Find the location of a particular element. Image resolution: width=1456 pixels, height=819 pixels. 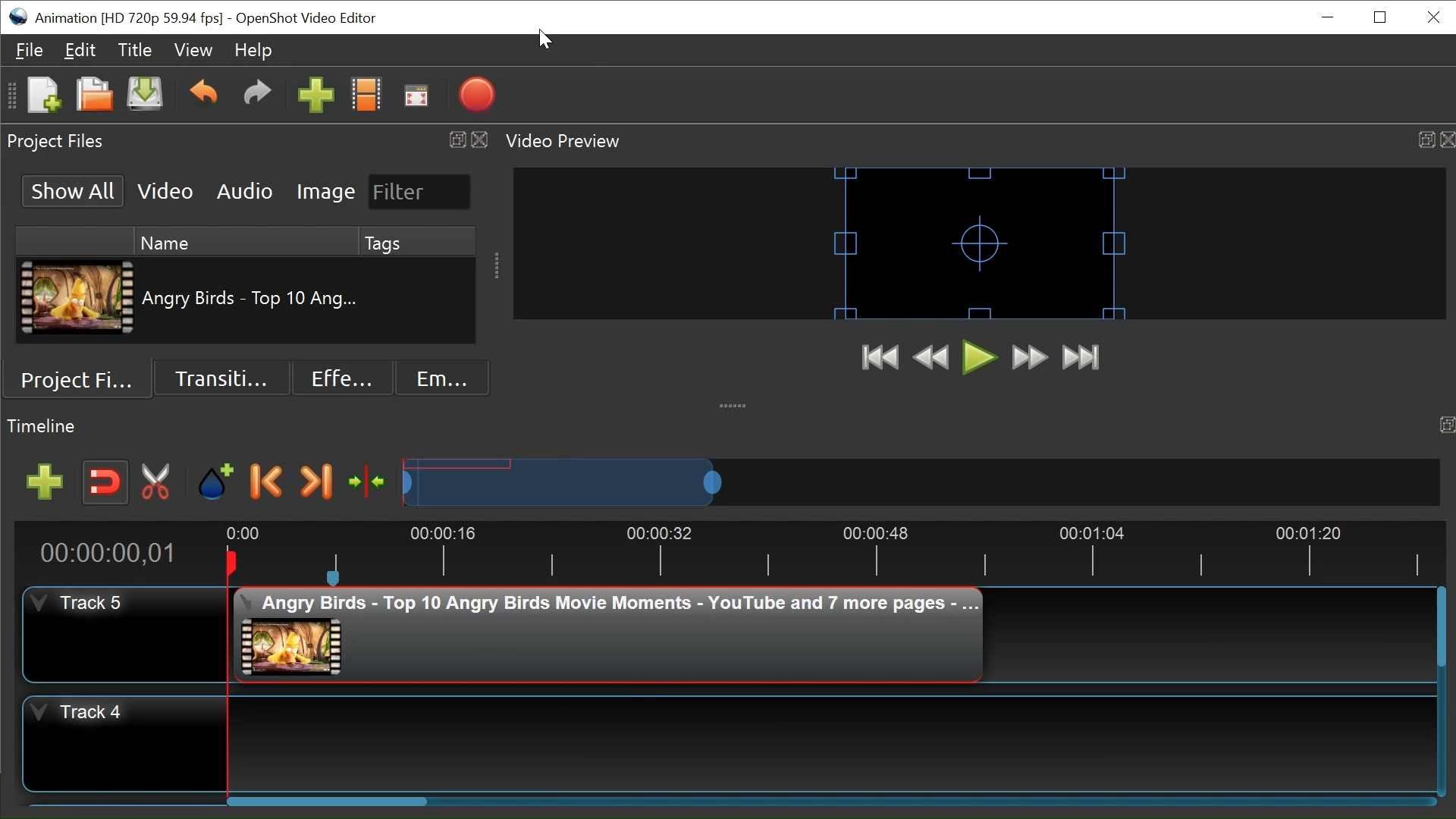

Fast Forward is located at coordinates (1030, 357).